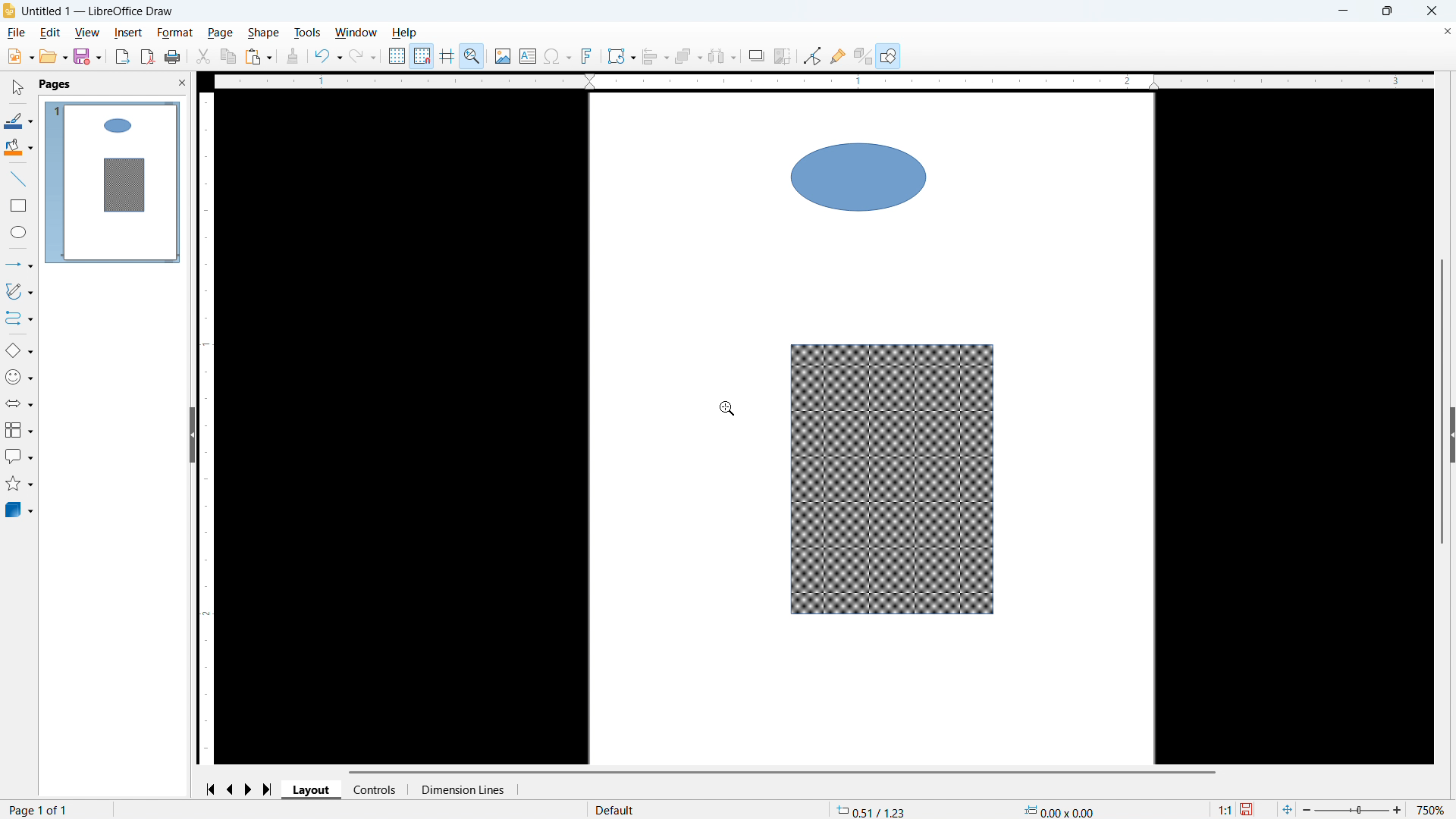 The height and width of the screenshot is (819, 1456). I want to click on Scaling factor , so click(1224, 809).